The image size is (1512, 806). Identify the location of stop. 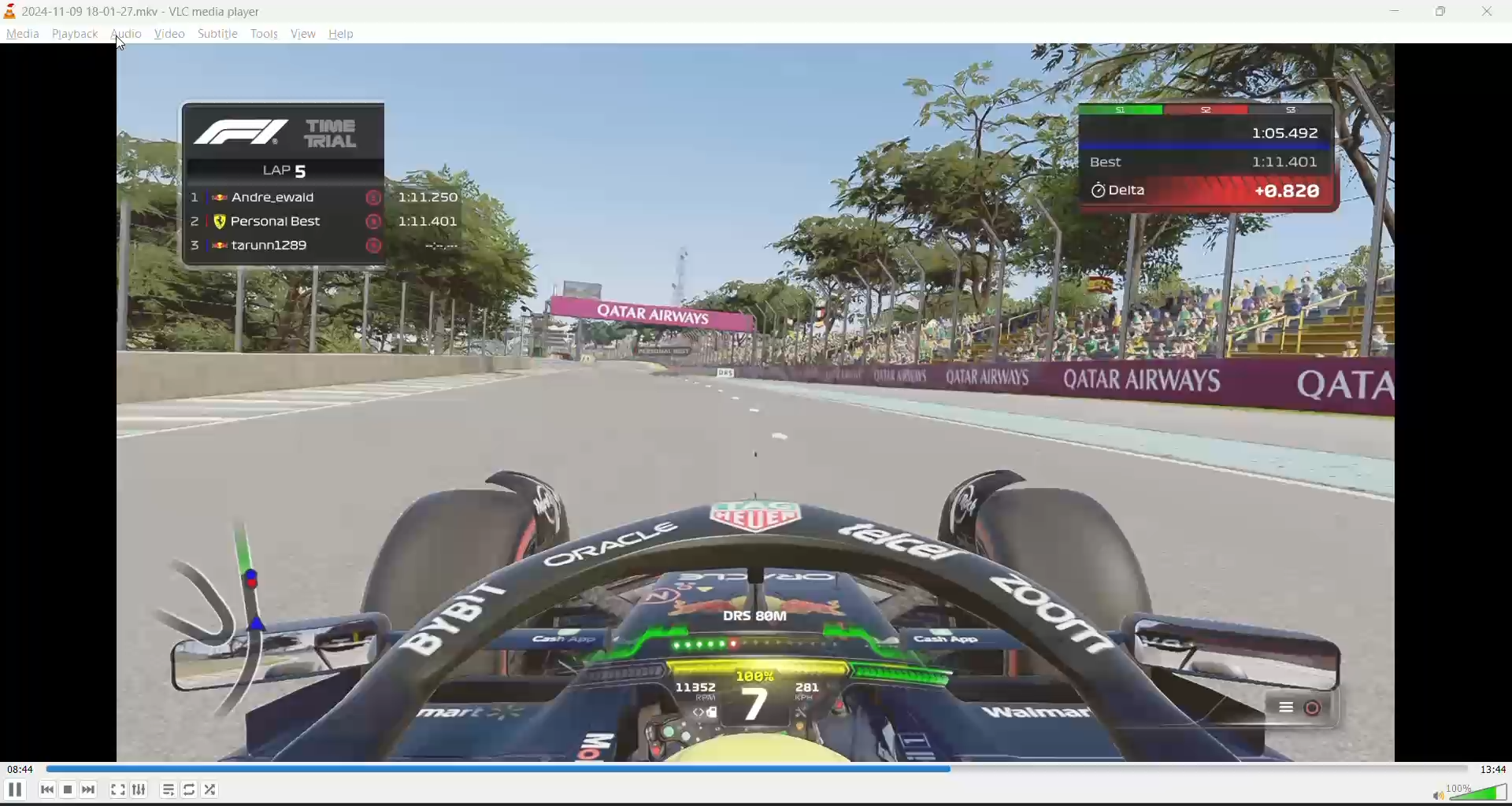
(67, 789).